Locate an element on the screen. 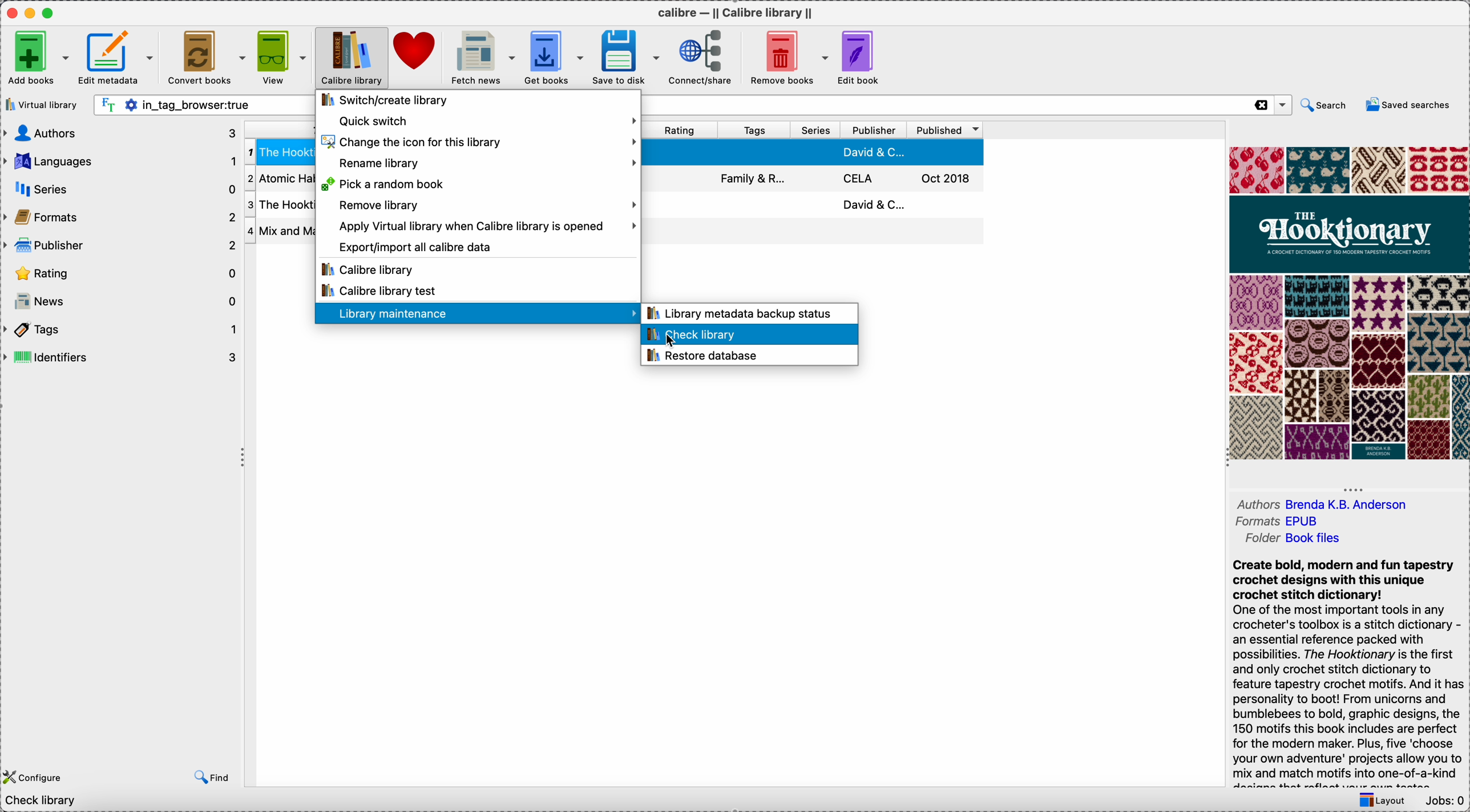  edit book is located at coordinates (863, 58).